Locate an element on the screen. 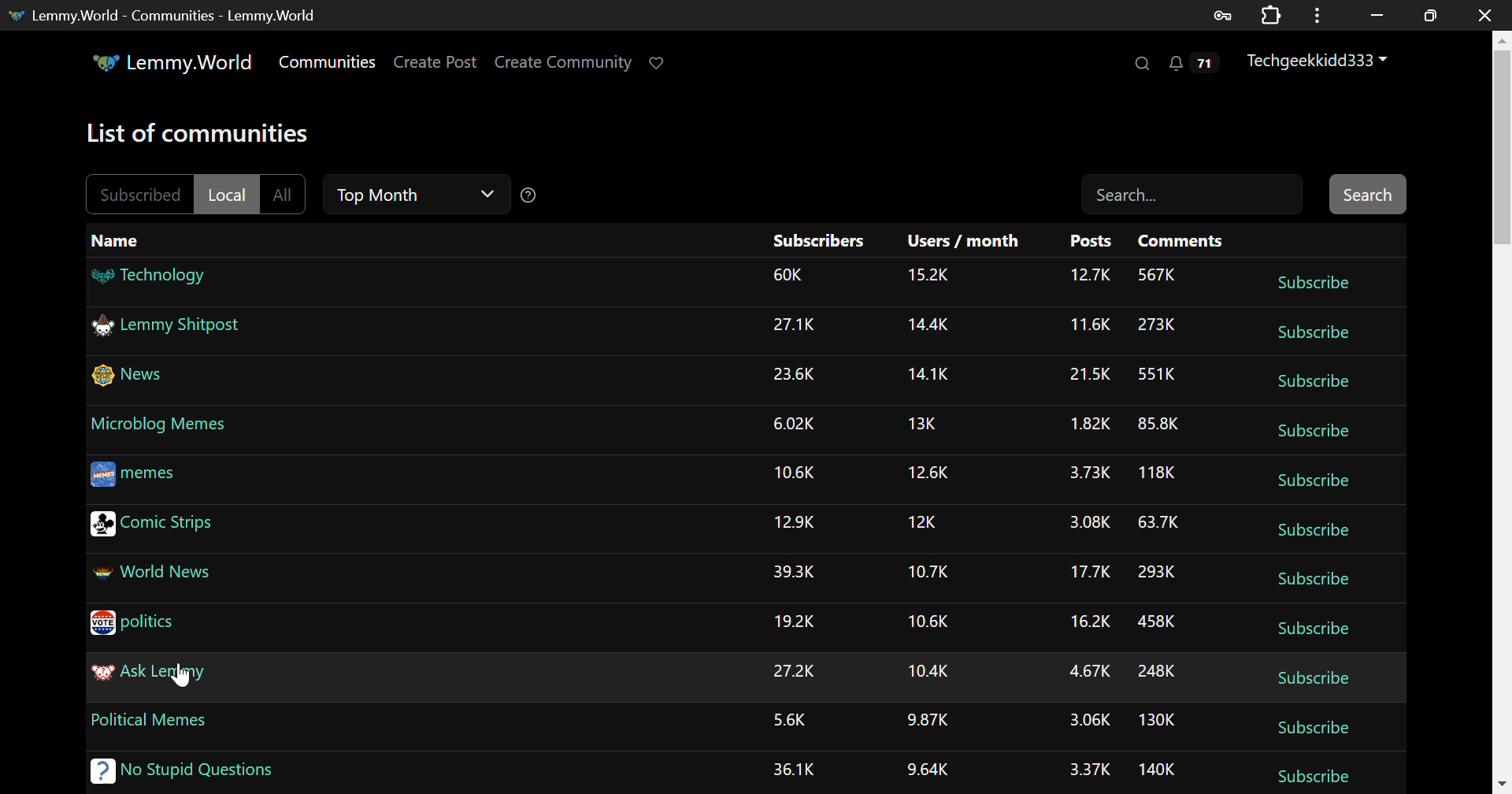 This screenshot has height=794, width=1512. Amount is located at coordinates (793, 472).